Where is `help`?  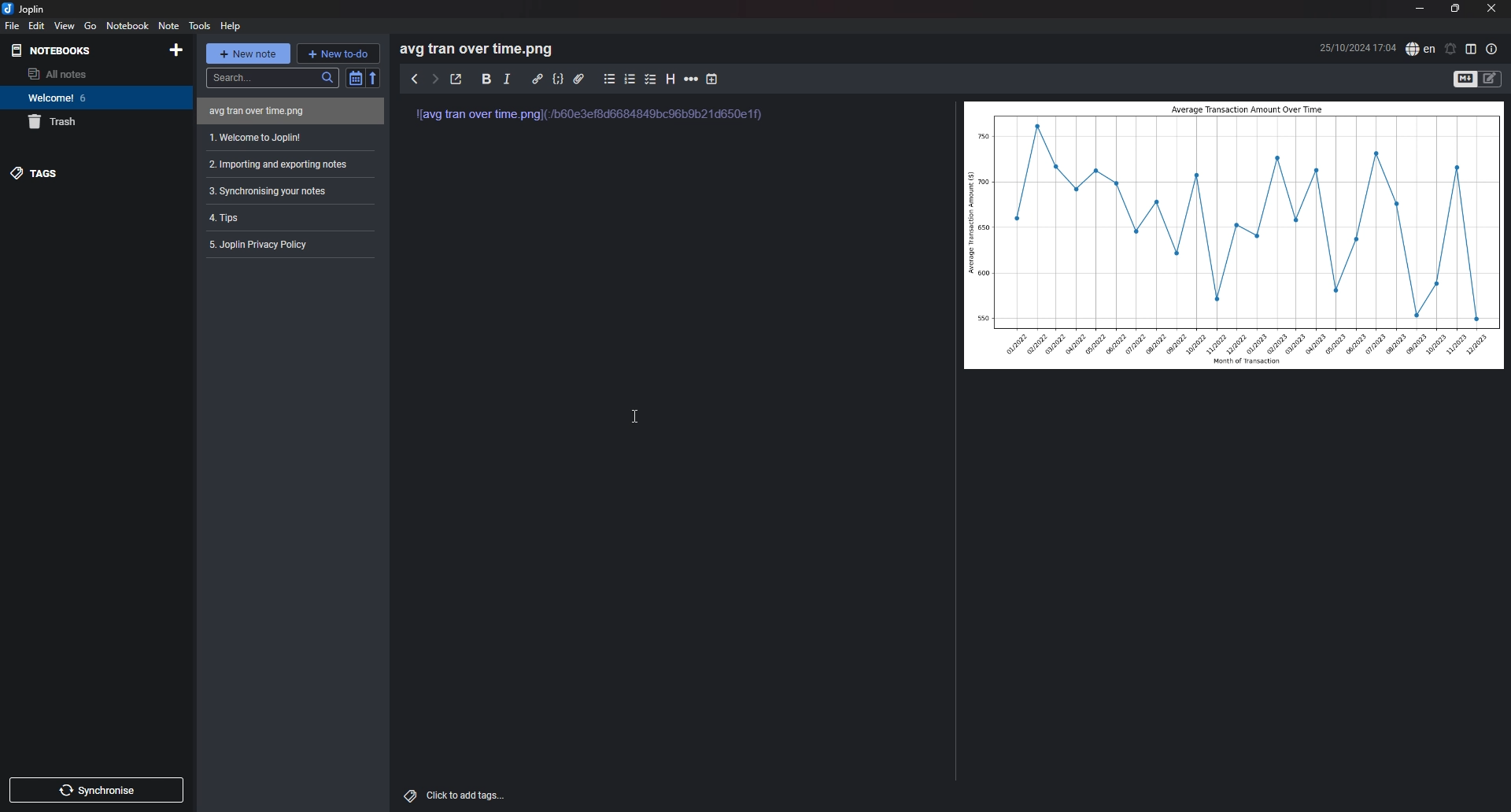
help is located at coordinates (231, 27).